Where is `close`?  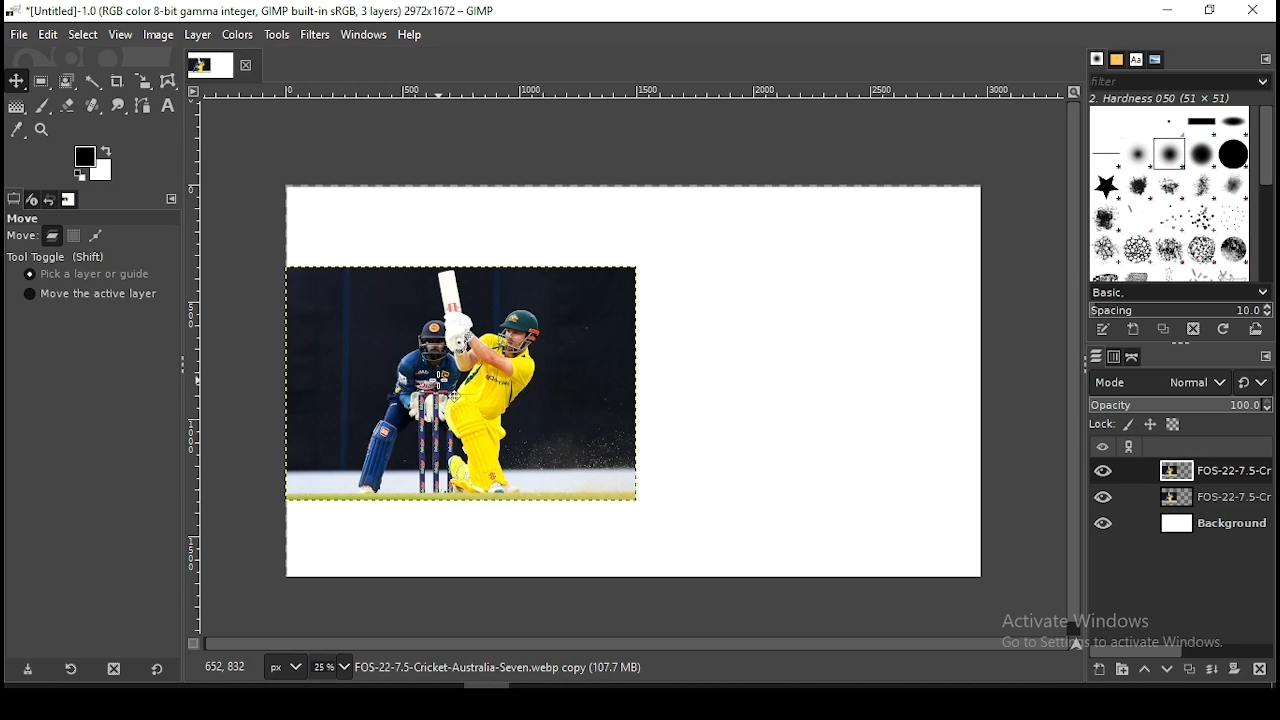
close is located at coordinates (247, 66).